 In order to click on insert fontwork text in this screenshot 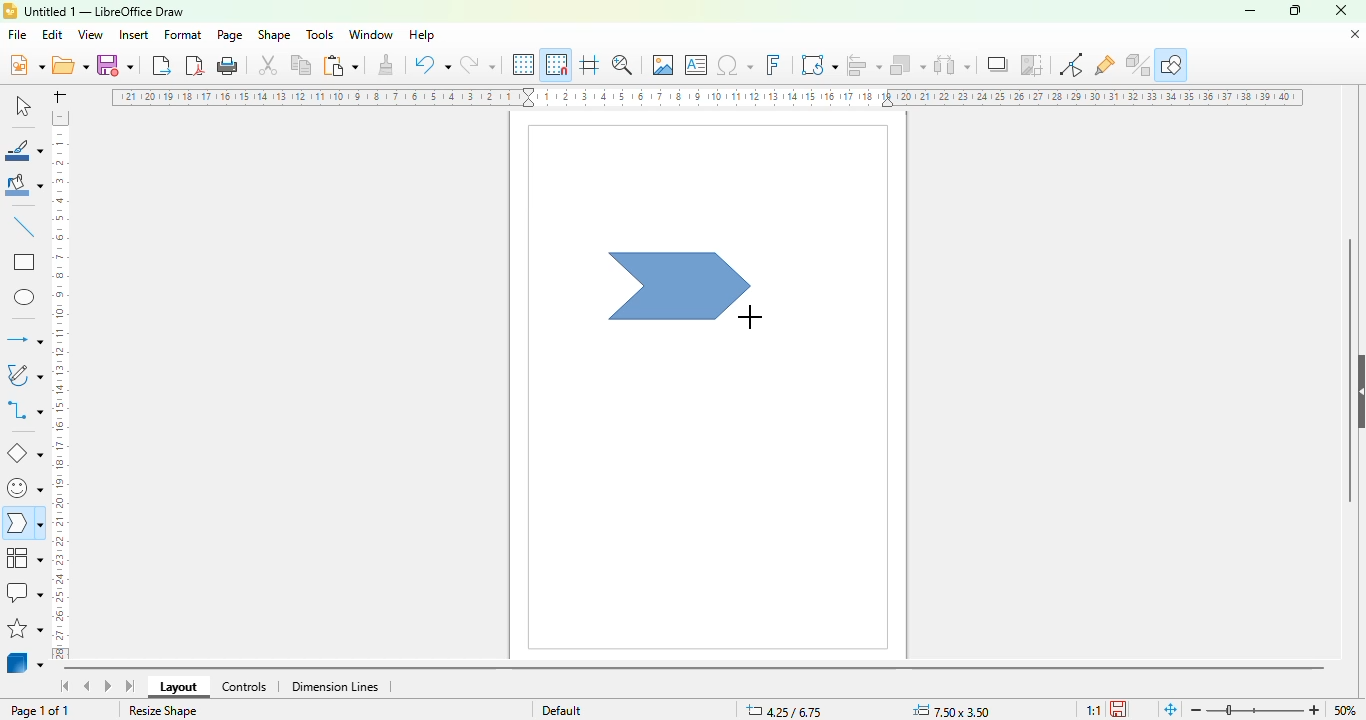, I will do `click(773, 64)`.